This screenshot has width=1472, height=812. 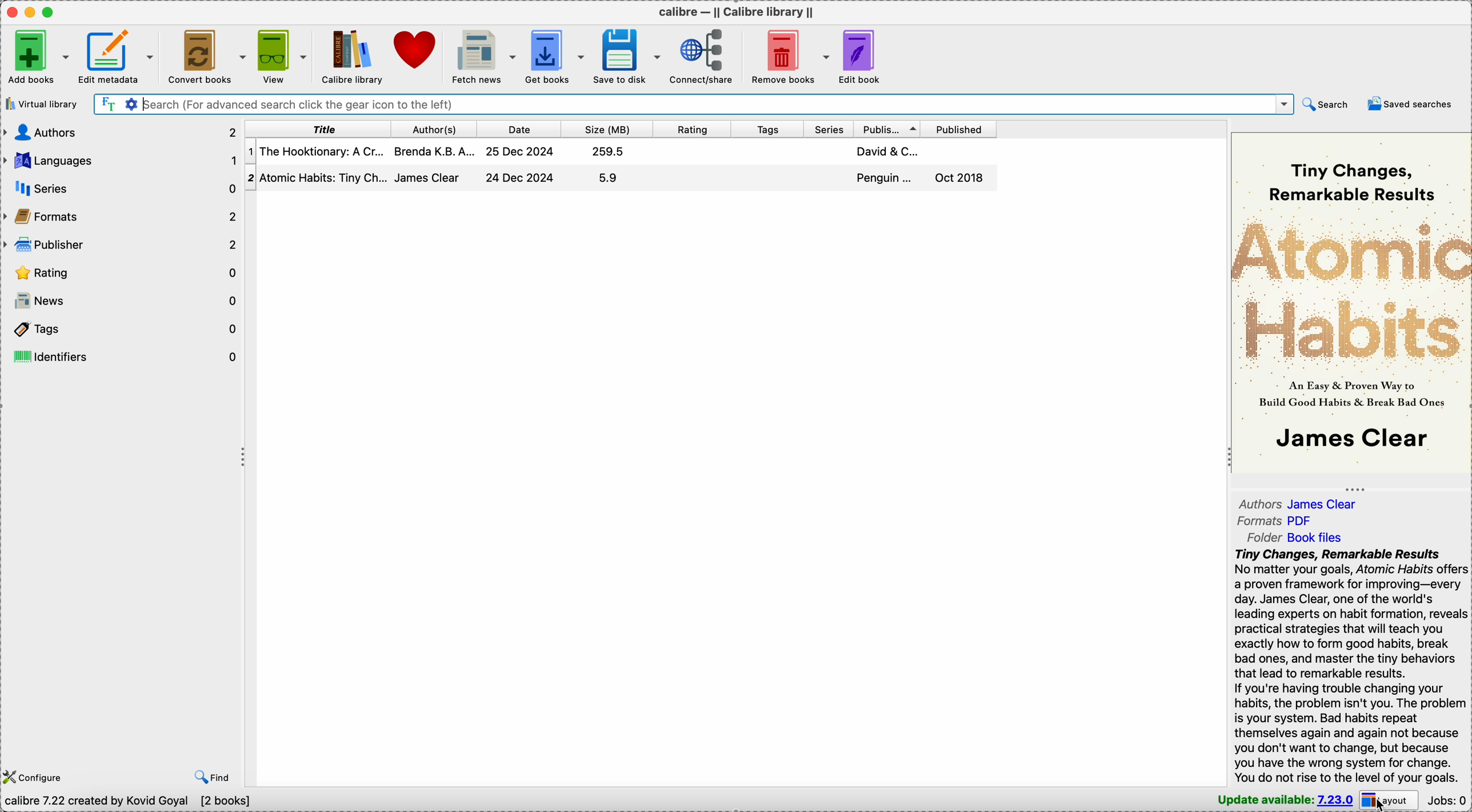 What do you see at coordinates (734, 11) in the screenshot?
I see `Calibre - || calibre library ||` at bounding box center [734, 11].